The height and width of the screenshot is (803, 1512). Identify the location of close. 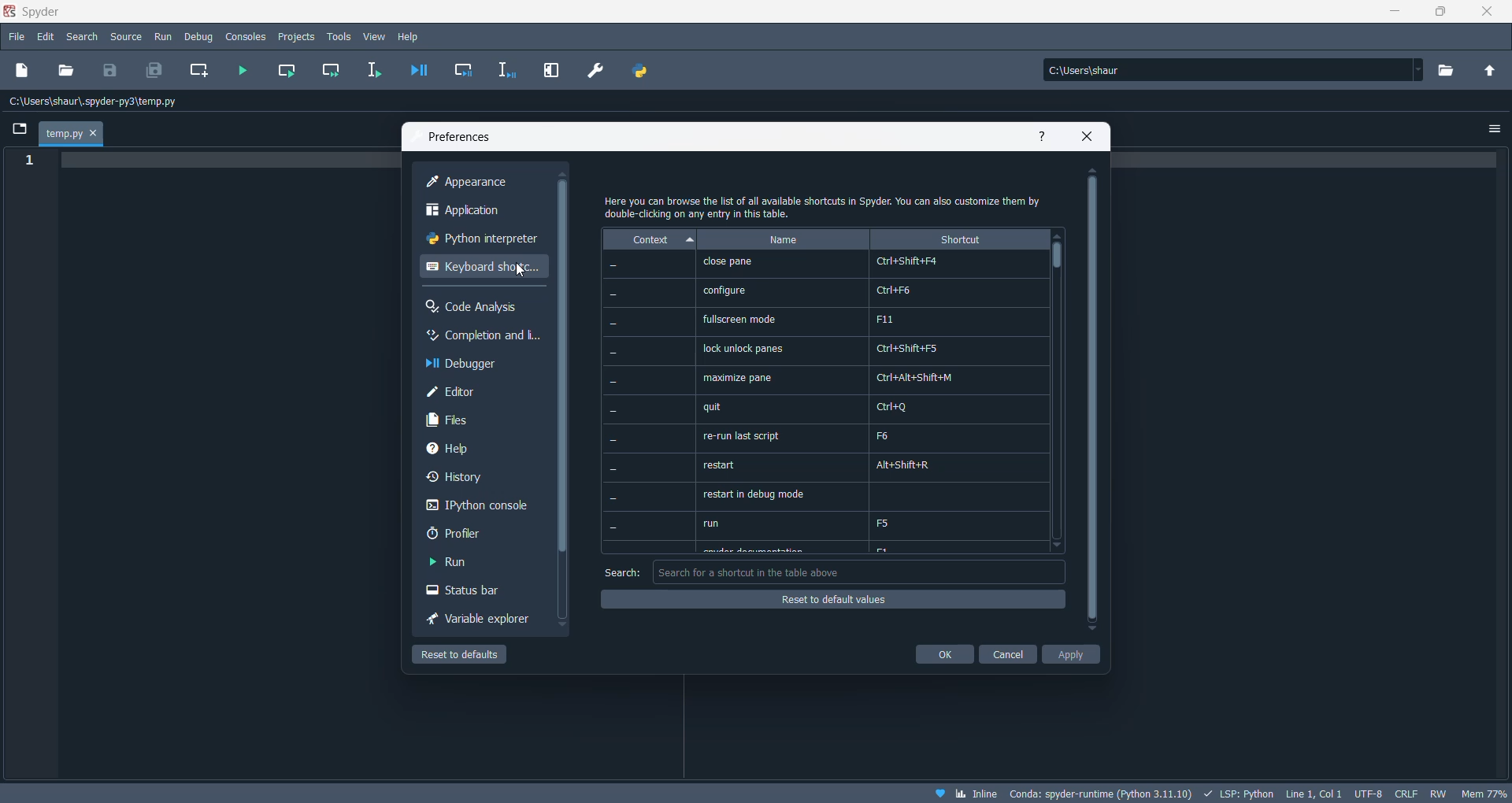
(1480, 13).